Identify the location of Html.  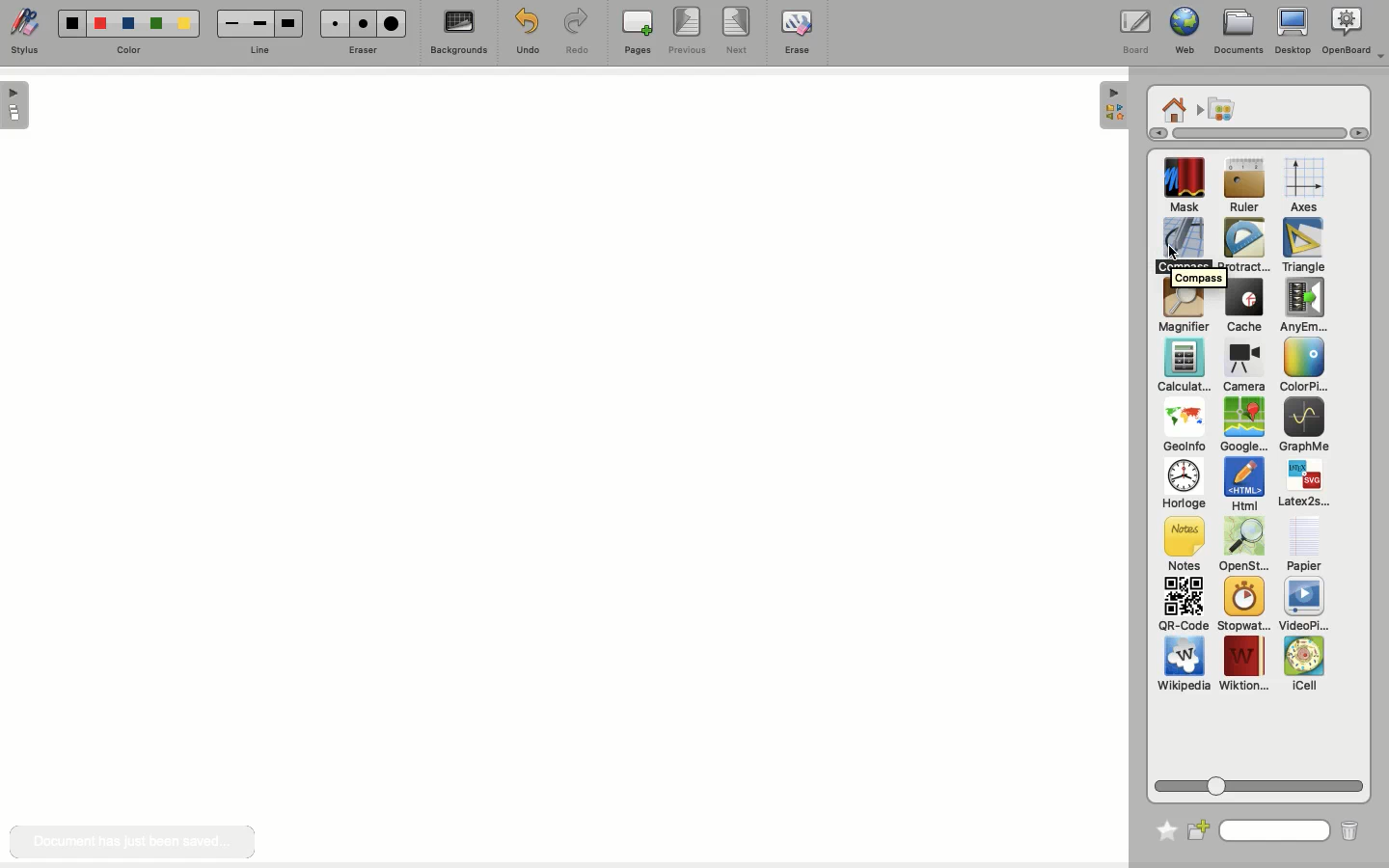
(1242, 486).